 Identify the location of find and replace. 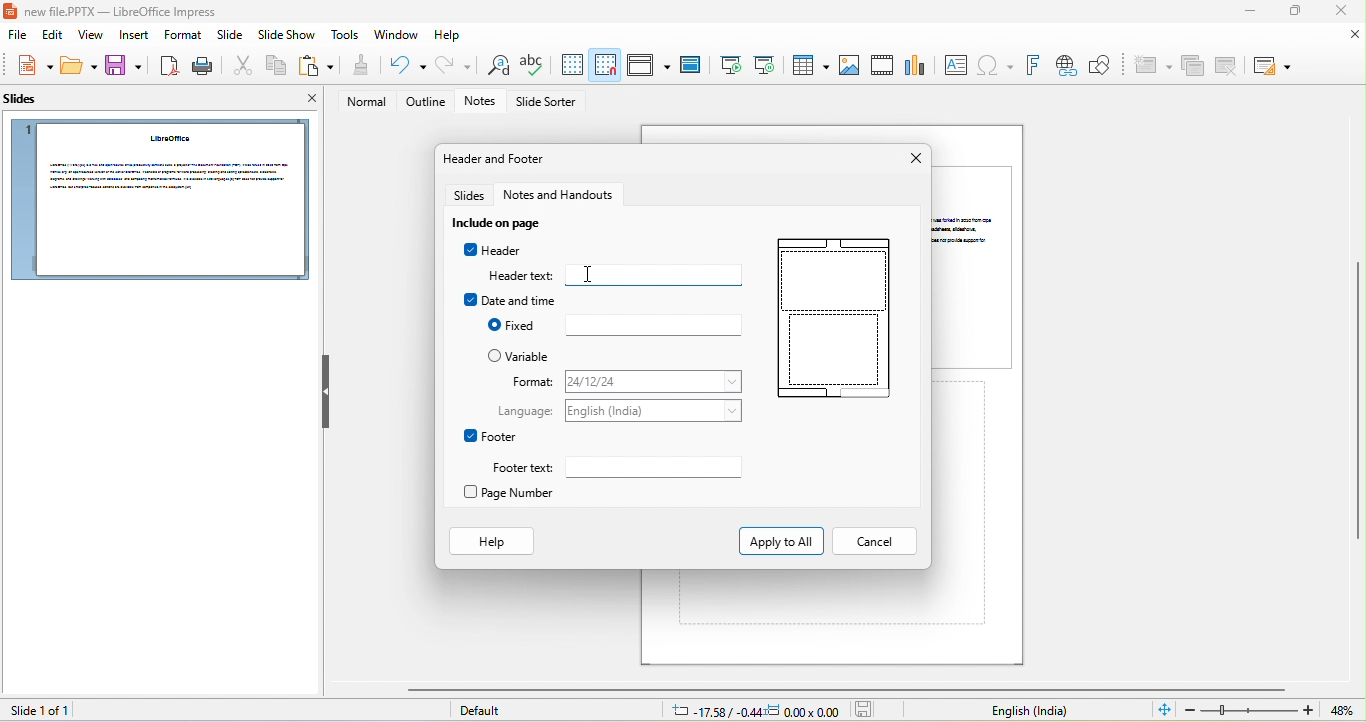
(494, 67).